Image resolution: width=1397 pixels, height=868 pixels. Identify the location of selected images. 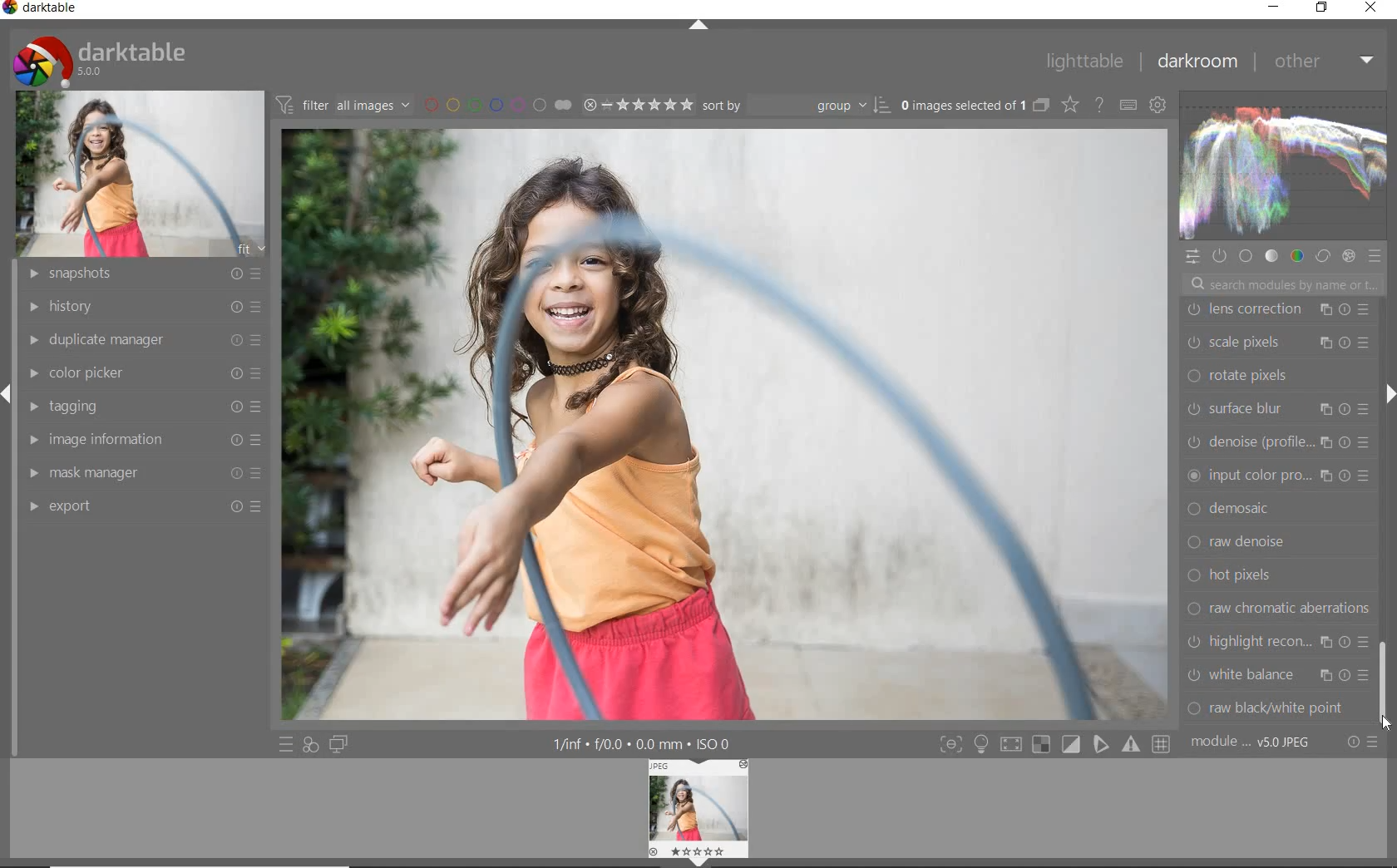
(961, 105).